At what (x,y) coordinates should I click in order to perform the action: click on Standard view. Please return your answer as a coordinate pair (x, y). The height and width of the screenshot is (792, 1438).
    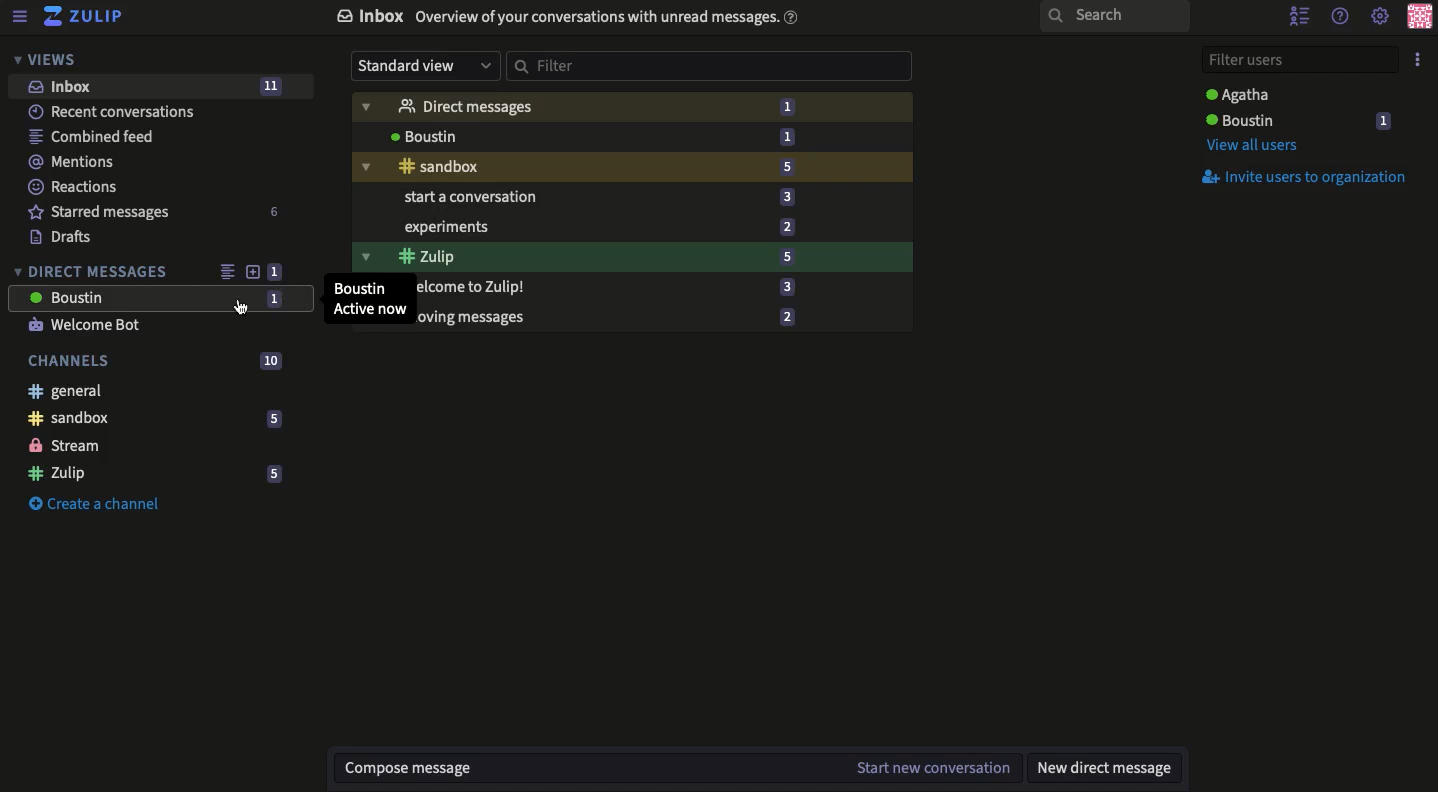
    Looking at the image, I should click on (424, 67).